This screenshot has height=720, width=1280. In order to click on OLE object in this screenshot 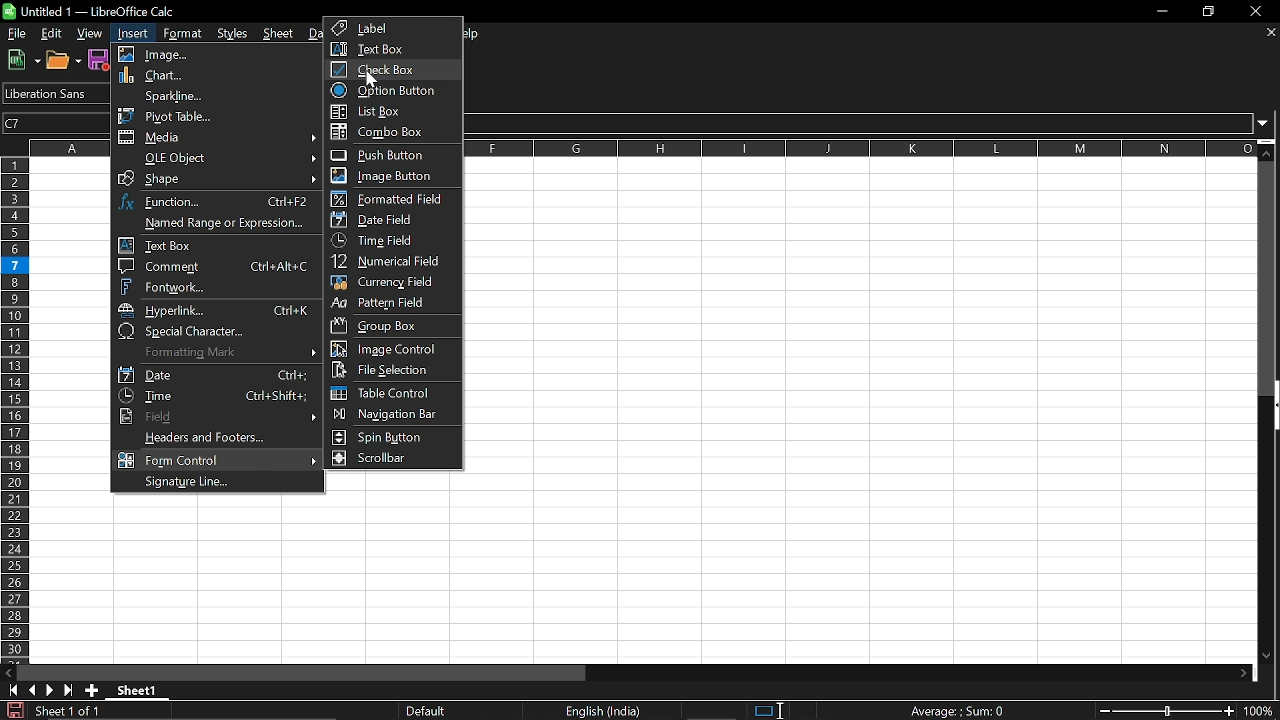, I will do `click(219, 158)`.